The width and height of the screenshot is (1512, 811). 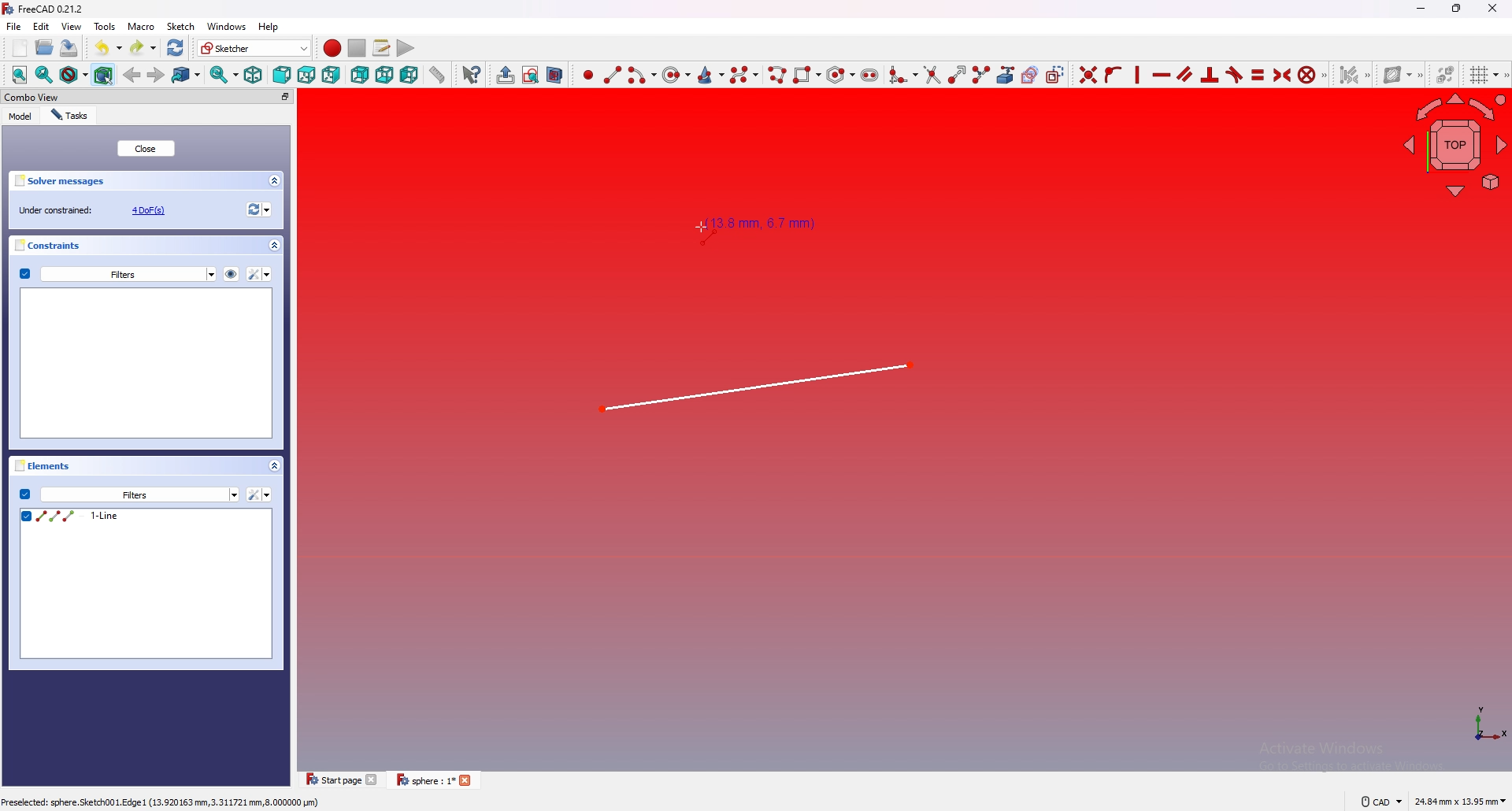 What do you see at coordinates (1352, 75) in the screenshot?
I see `Select associated constraints` at bounding box center [1352, 75].